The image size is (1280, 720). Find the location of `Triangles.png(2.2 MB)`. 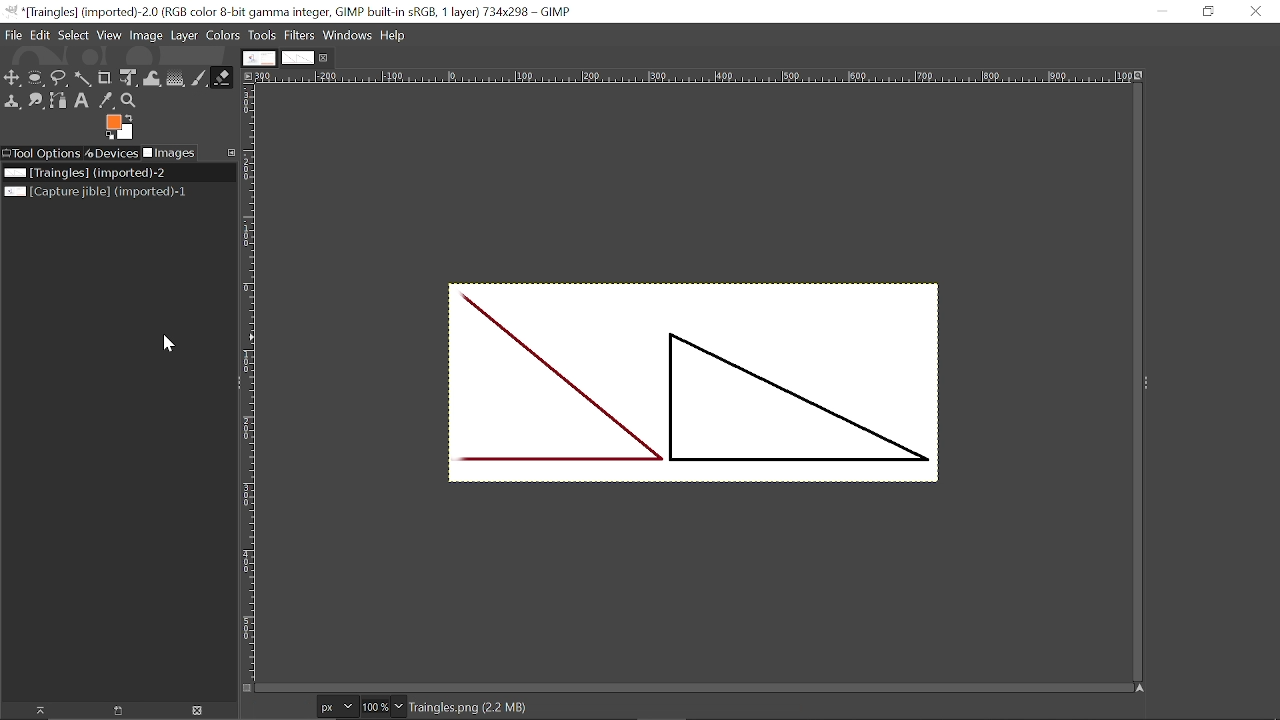

Triangles.png(2.2 MB) is located at coordinates (471, 708).